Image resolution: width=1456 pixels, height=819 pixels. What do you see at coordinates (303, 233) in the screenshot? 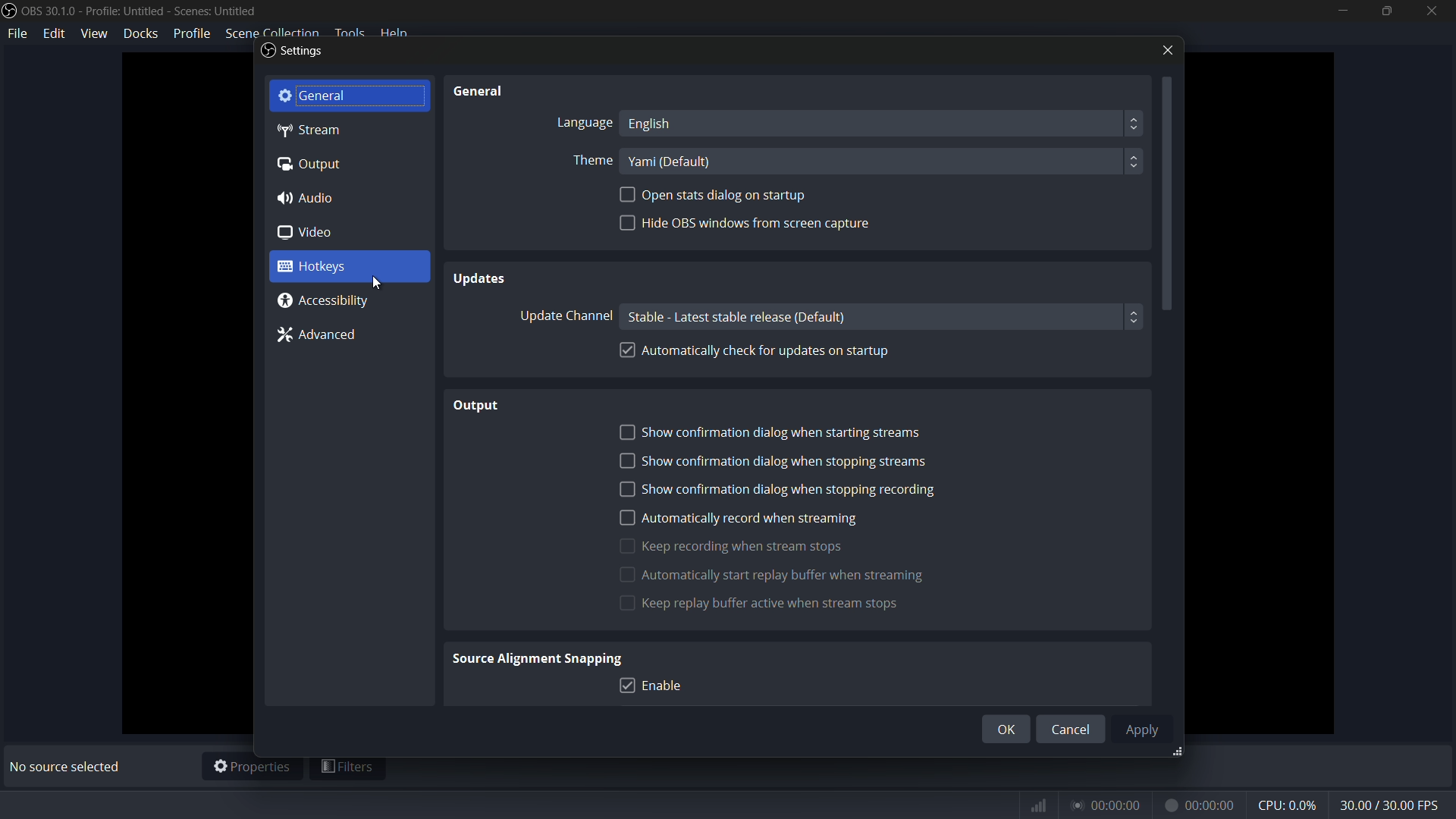
I see `video` at bounding box center [303, 233].